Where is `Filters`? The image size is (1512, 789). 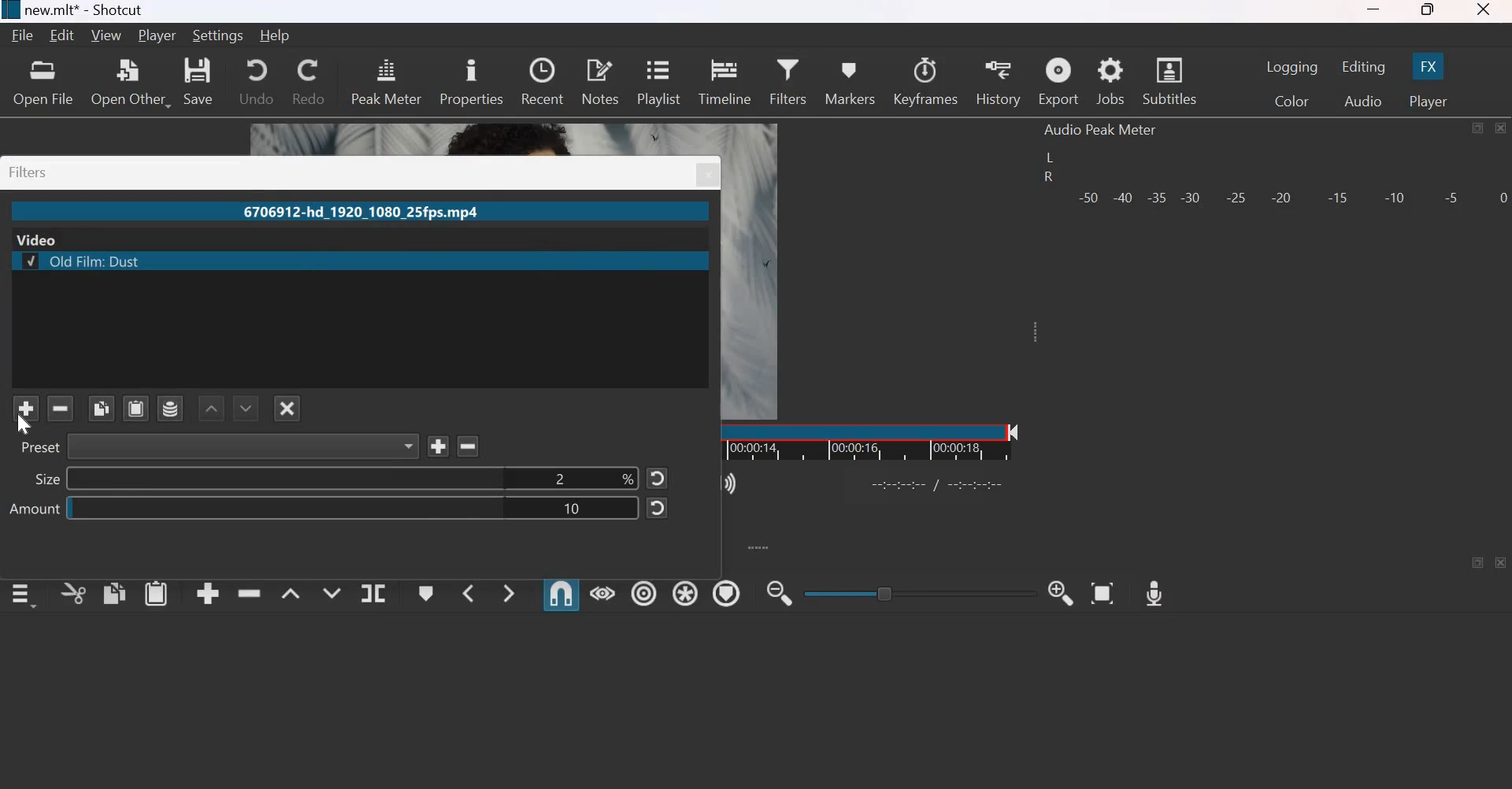 Filters is located at coordinates (791, 80).